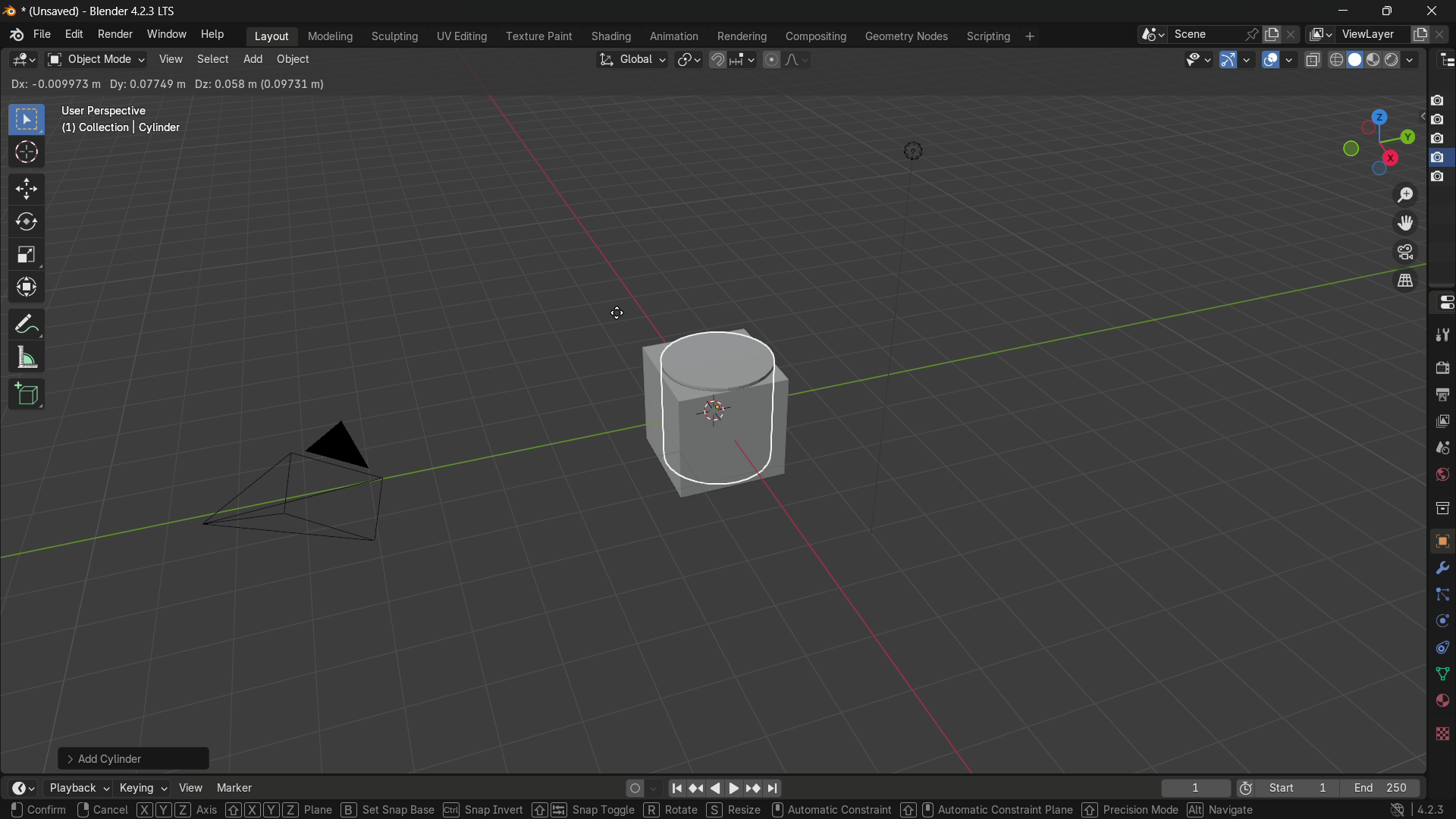  I want to click on toggle x-ray, so click(1313, 59).